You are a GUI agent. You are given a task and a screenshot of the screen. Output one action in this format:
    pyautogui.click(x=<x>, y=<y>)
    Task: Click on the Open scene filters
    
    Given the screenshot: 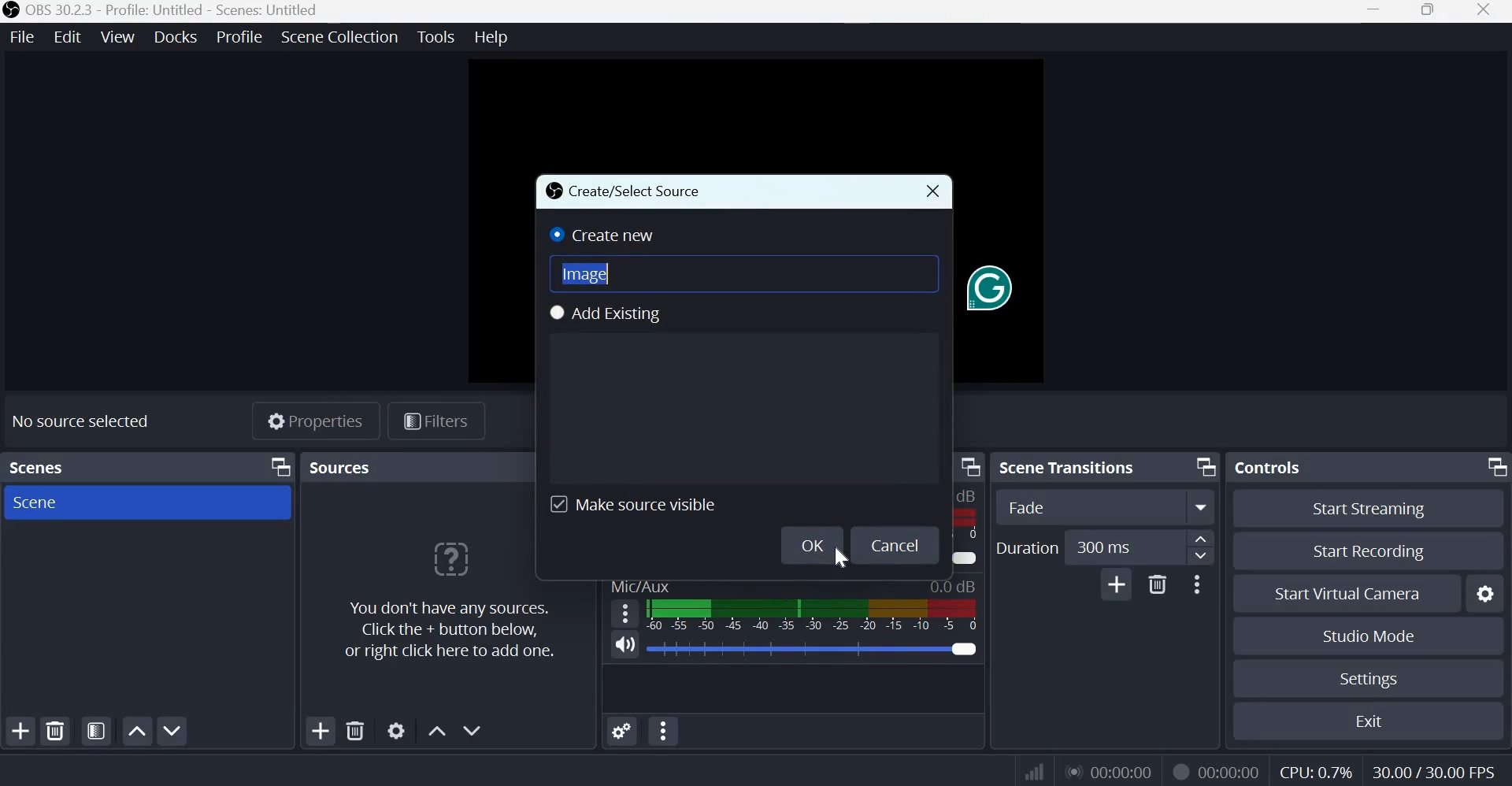 What is the action you would take?
    pyautogui.click(x=96, y=731)
    